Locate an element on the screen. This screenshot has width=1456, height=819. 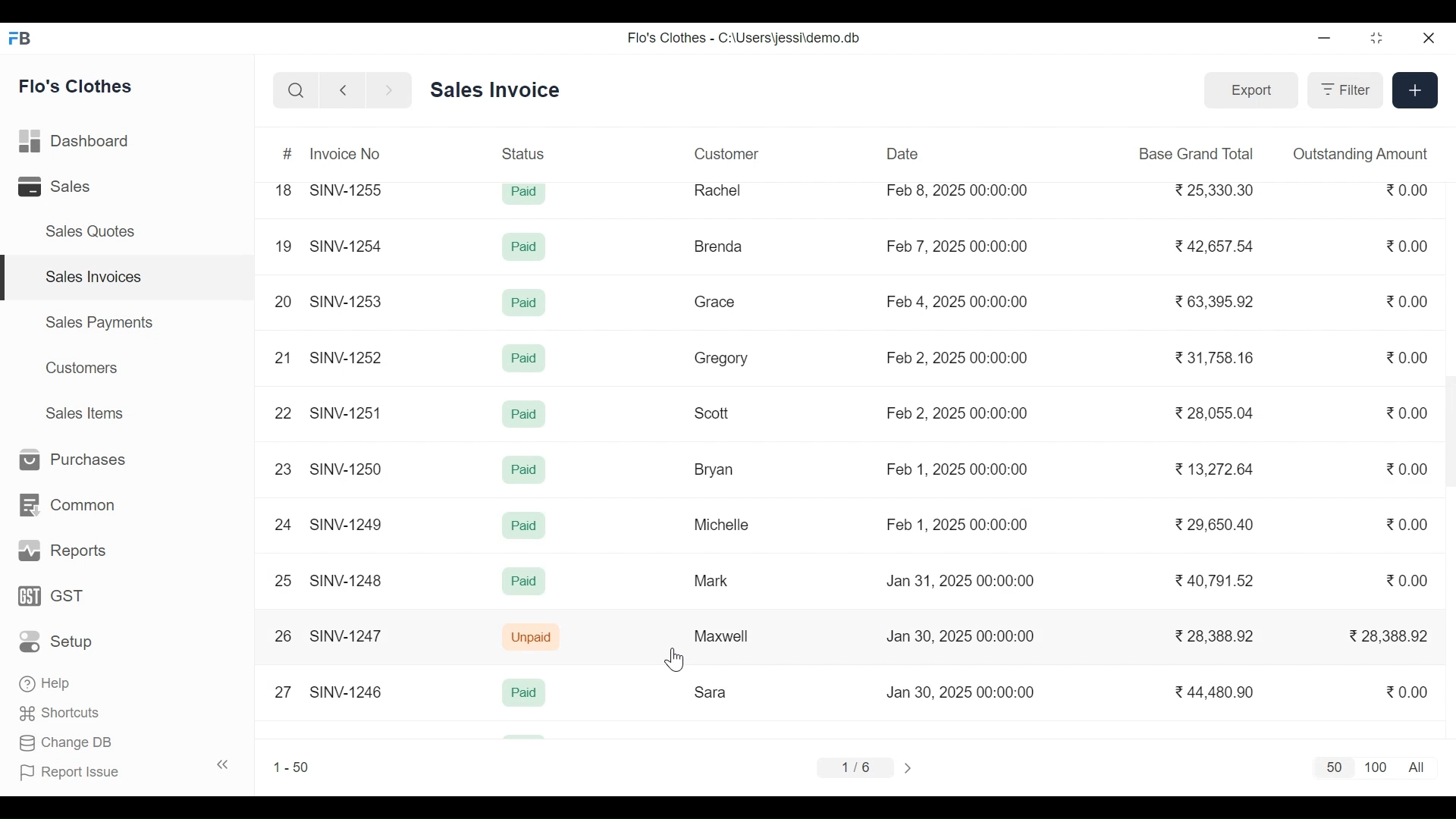
28,388.92 is located at coordinates (1219, 636).